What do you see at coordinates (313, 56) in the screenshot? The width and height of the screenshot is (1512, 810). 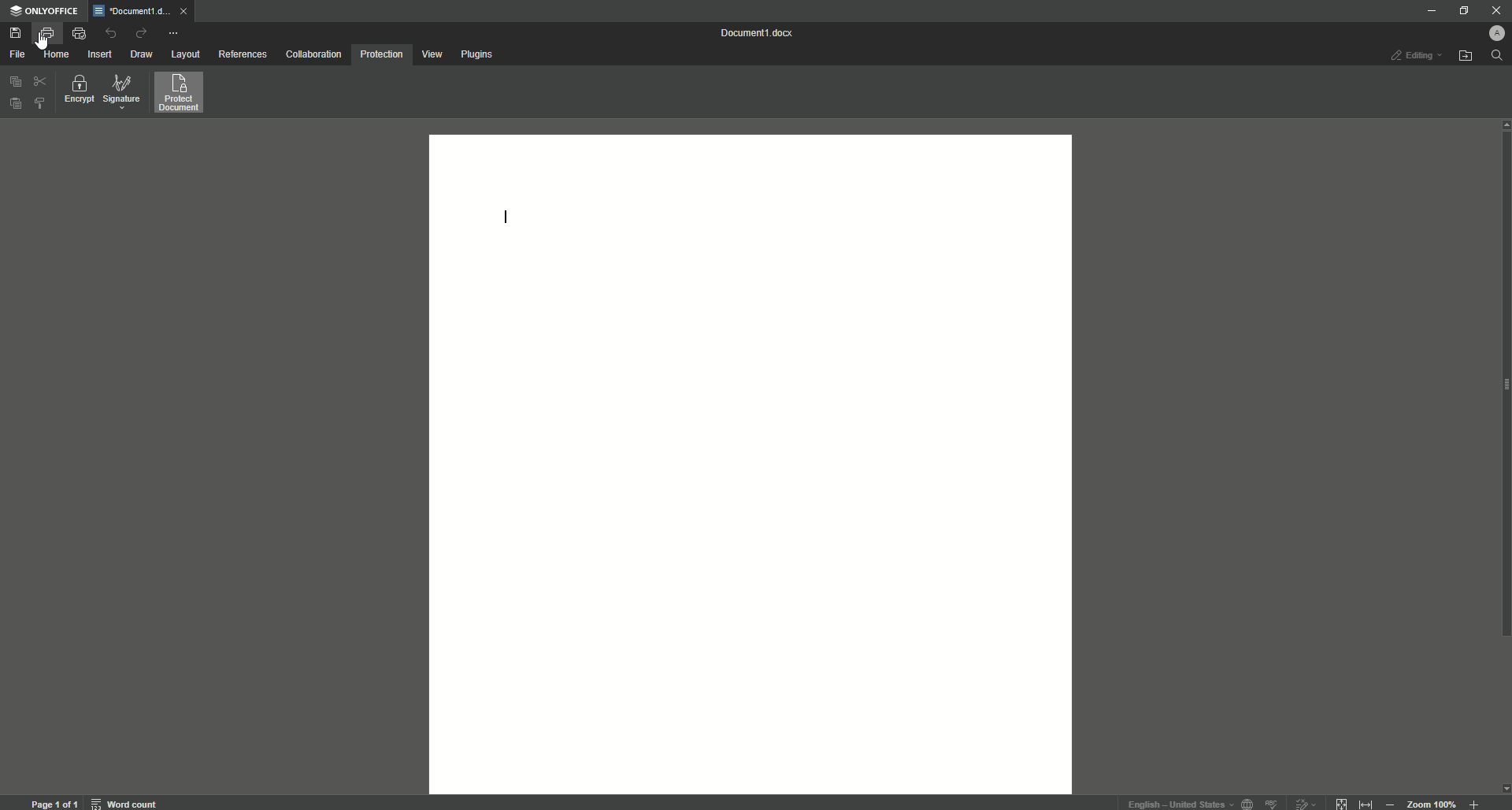 I see `Collaboration` at bounding box center [313, 56].